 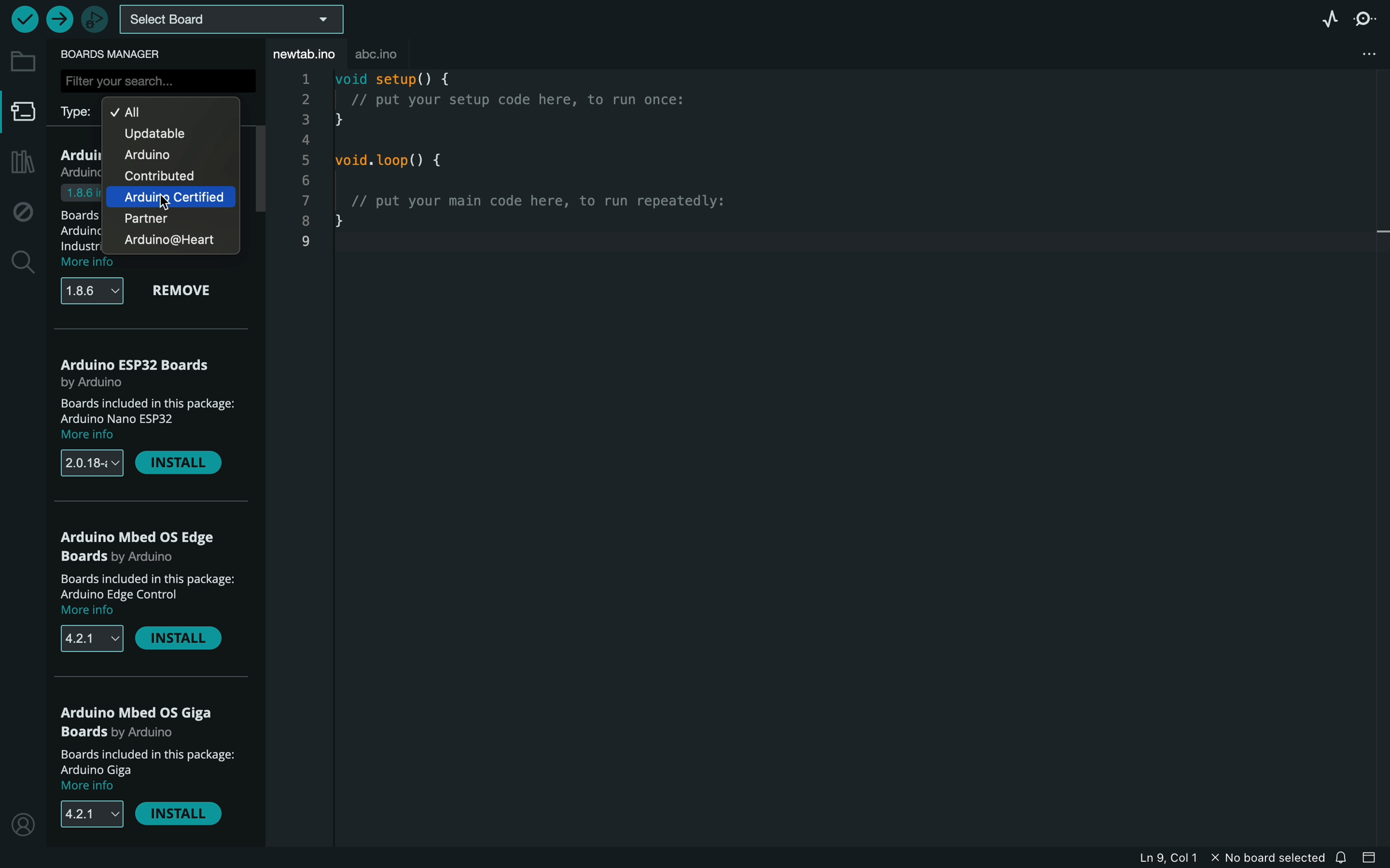 I want to click on notification, so click(x=1343, y=857).